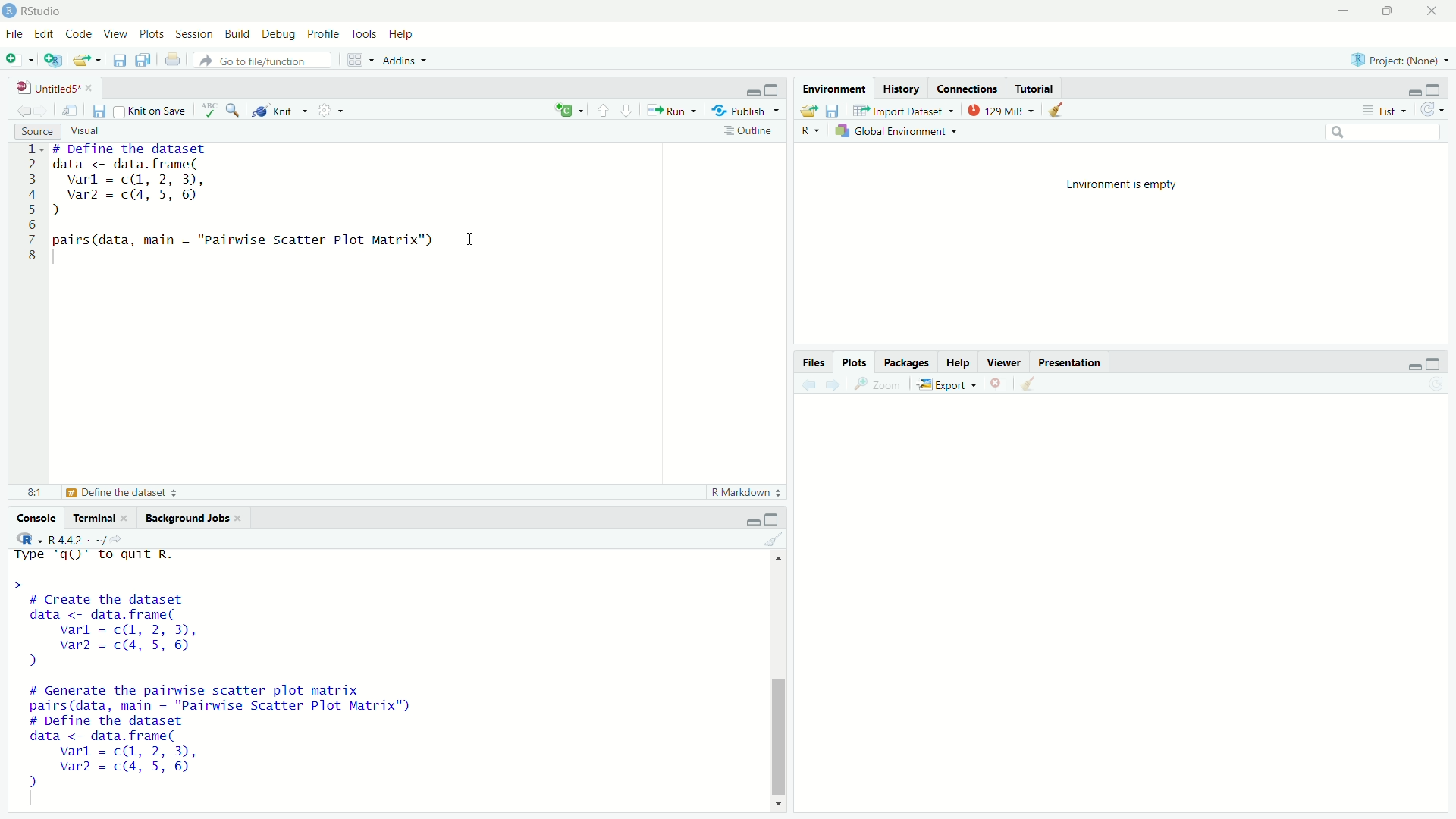 The width and height of the screenshot is (1456, 819). I want to click on Maximize, so click(774, 519).